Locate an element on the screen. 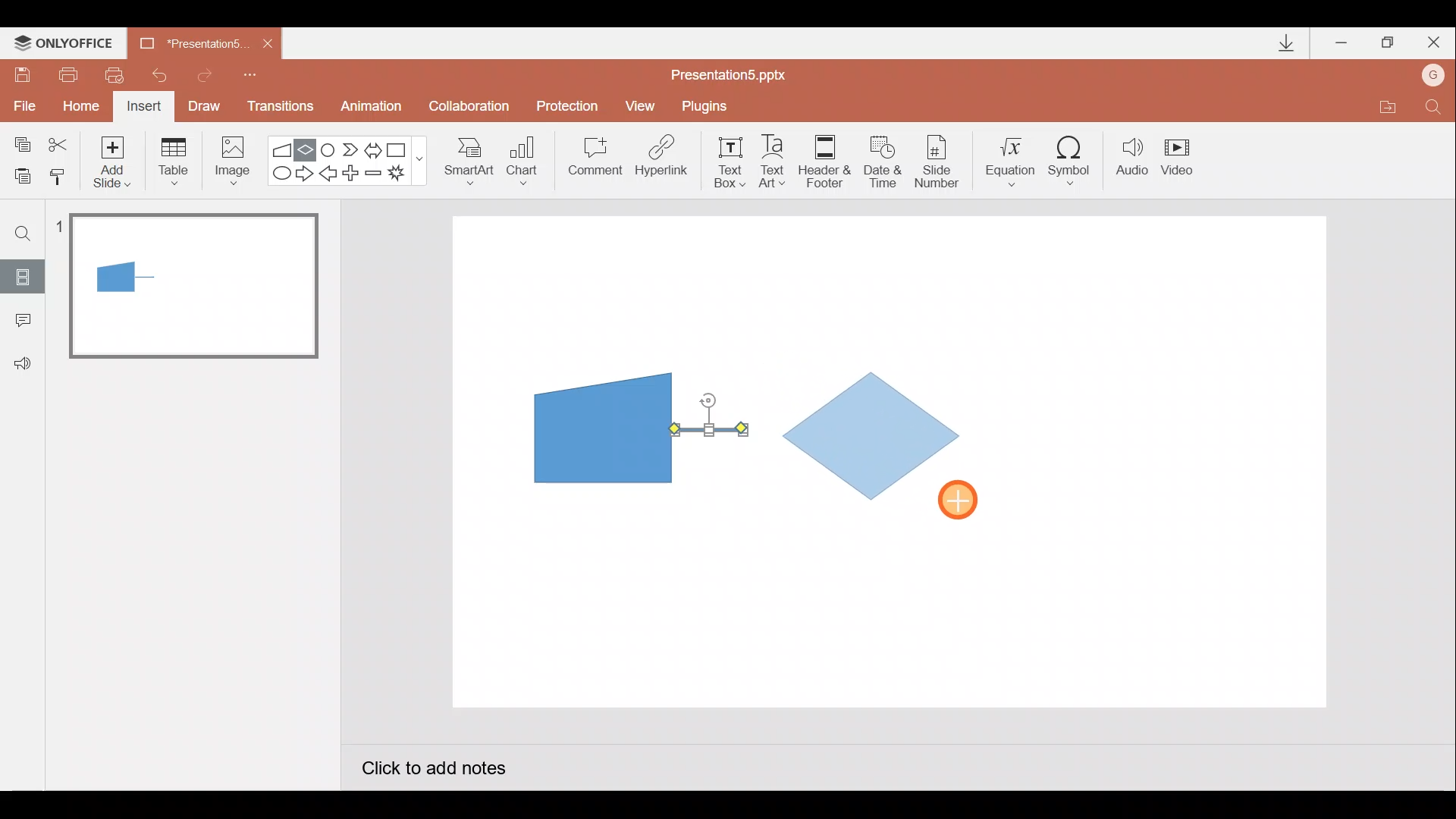  Left arrow is located at coordinates (329, 175).